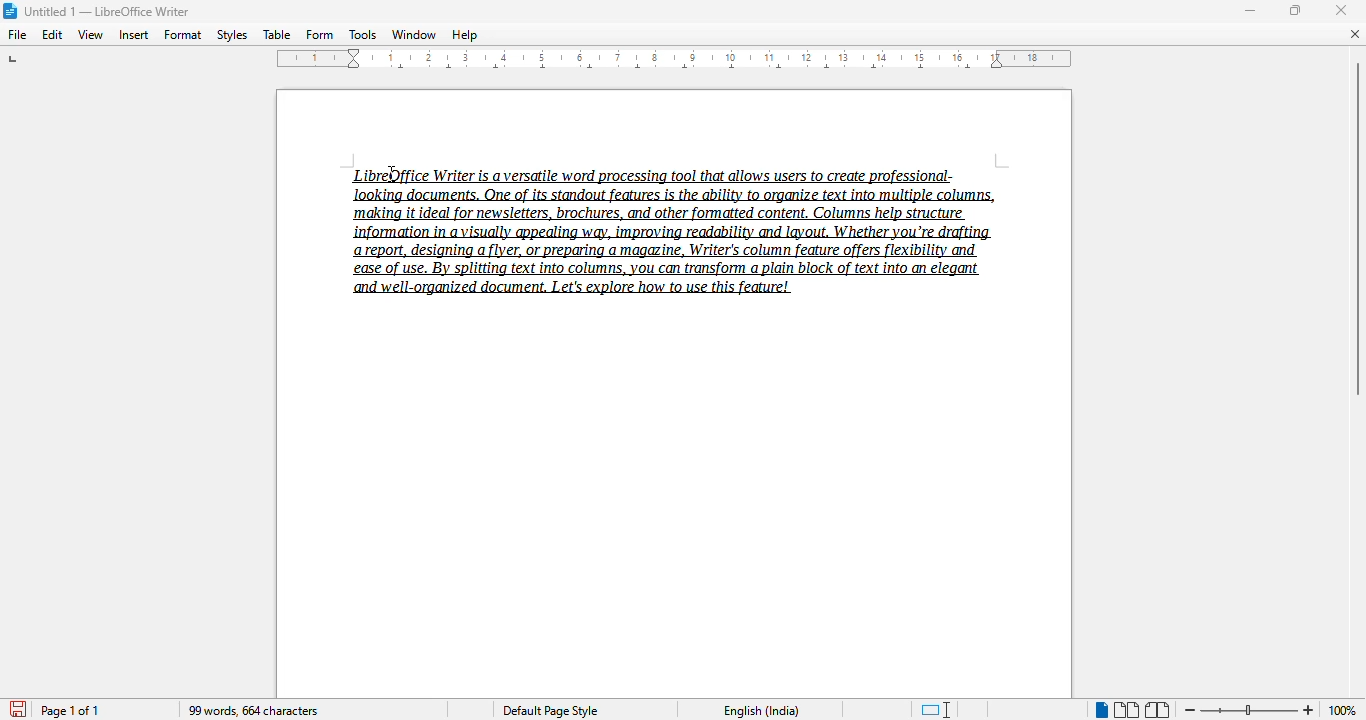  Describe the element at coordinates (390, 174) in the screenshot. I see `cursor` at that location.